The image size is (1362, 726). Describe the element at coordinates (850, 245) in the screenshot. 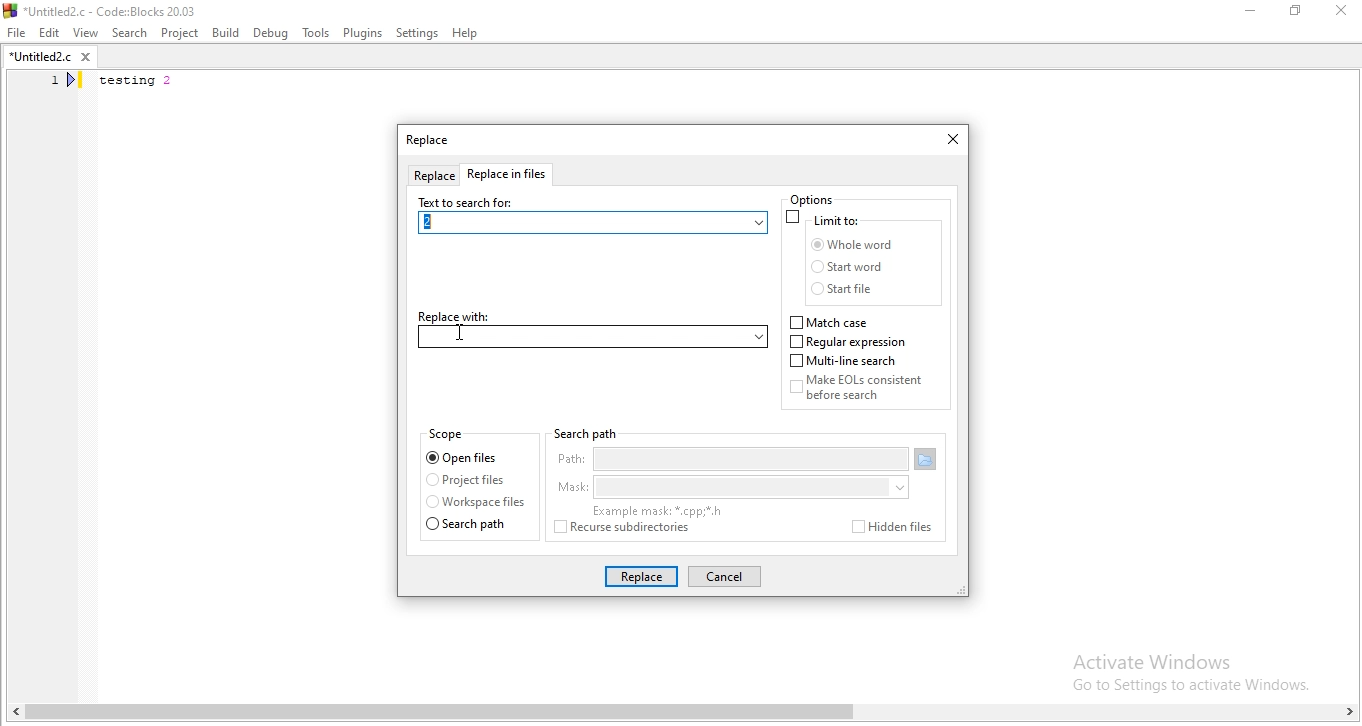

I see `whole word` at that location.